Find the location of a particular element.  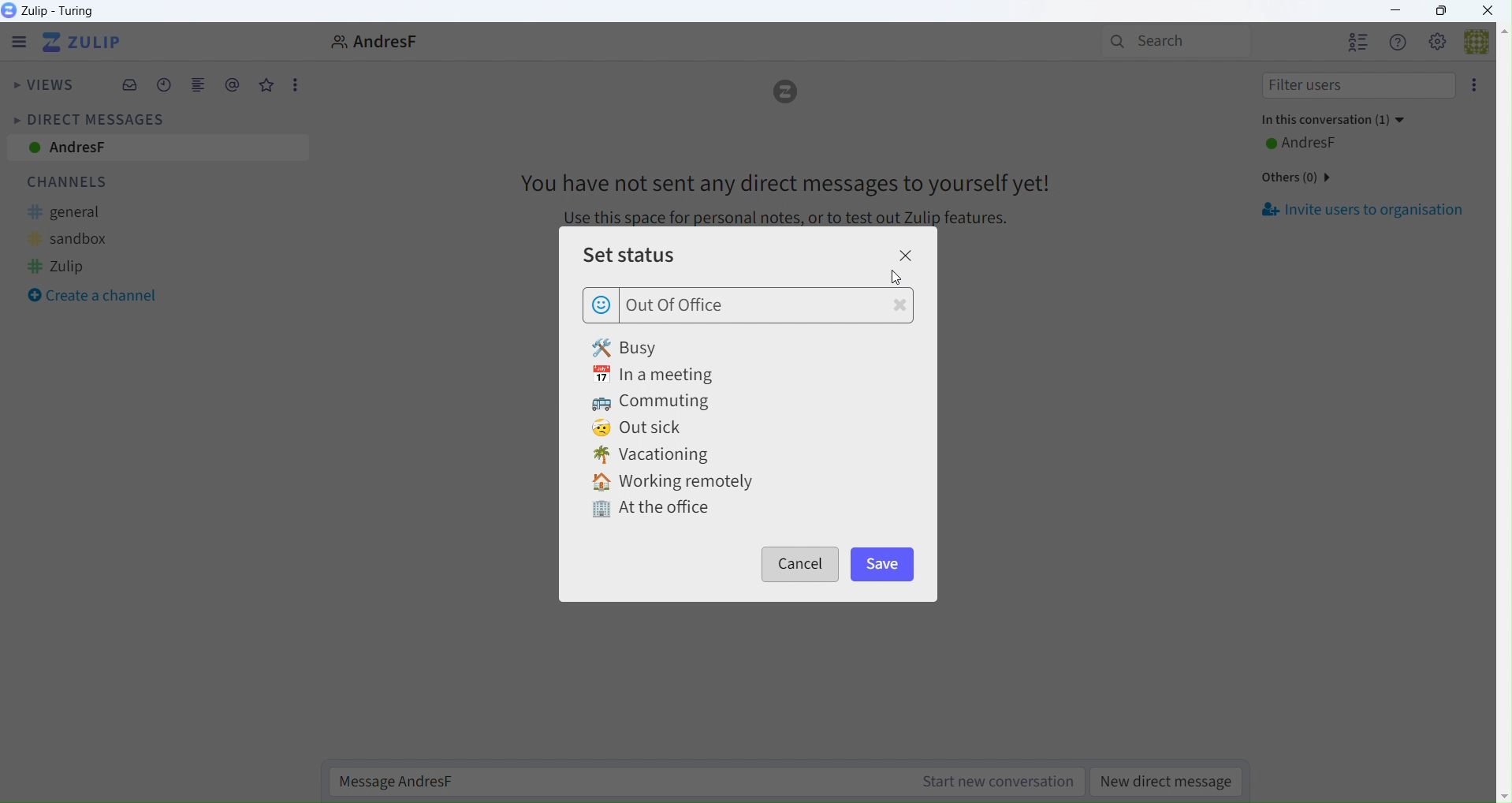

New Direct Message is located at coordinates (1170, 782).